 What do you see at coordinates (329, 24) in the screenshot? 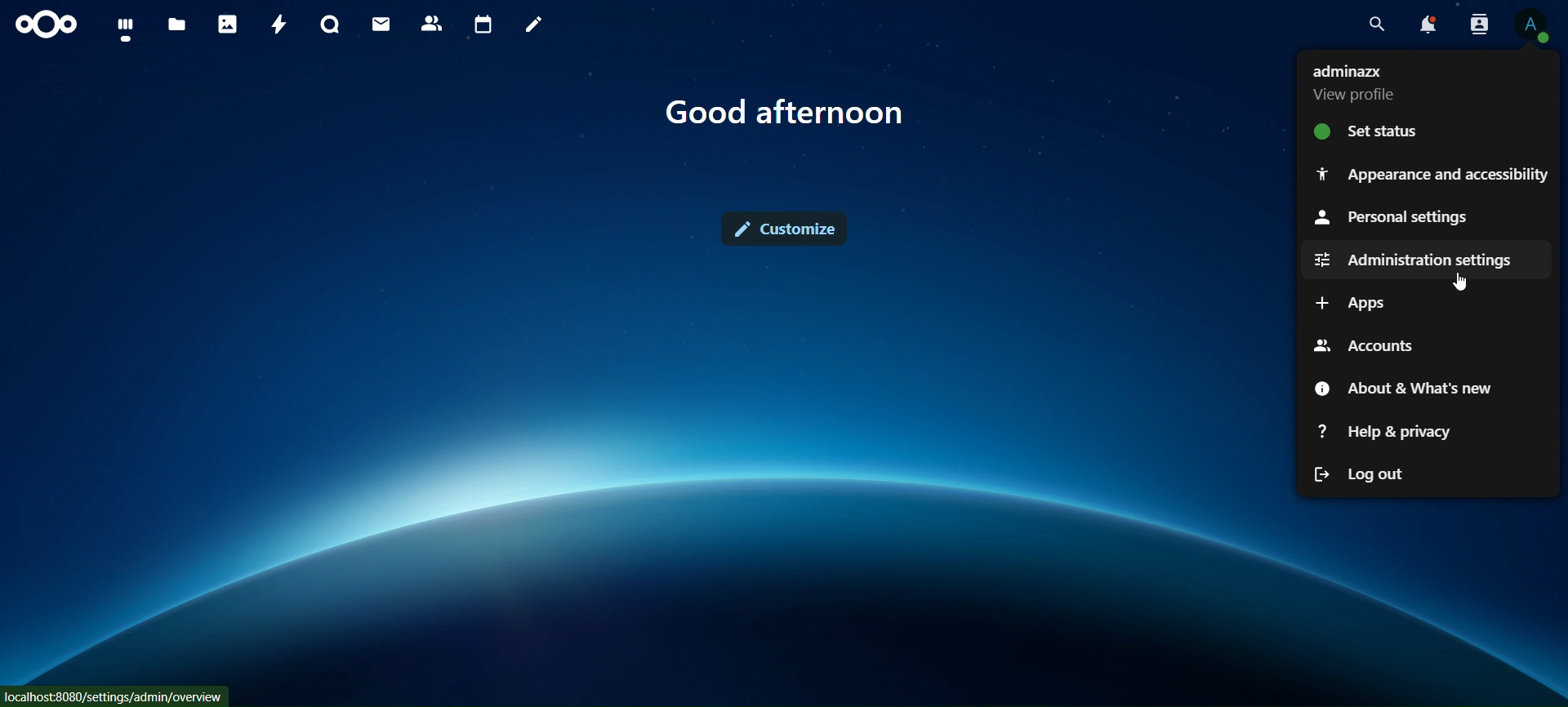
I see `talk` at bounding box center [329, 24].